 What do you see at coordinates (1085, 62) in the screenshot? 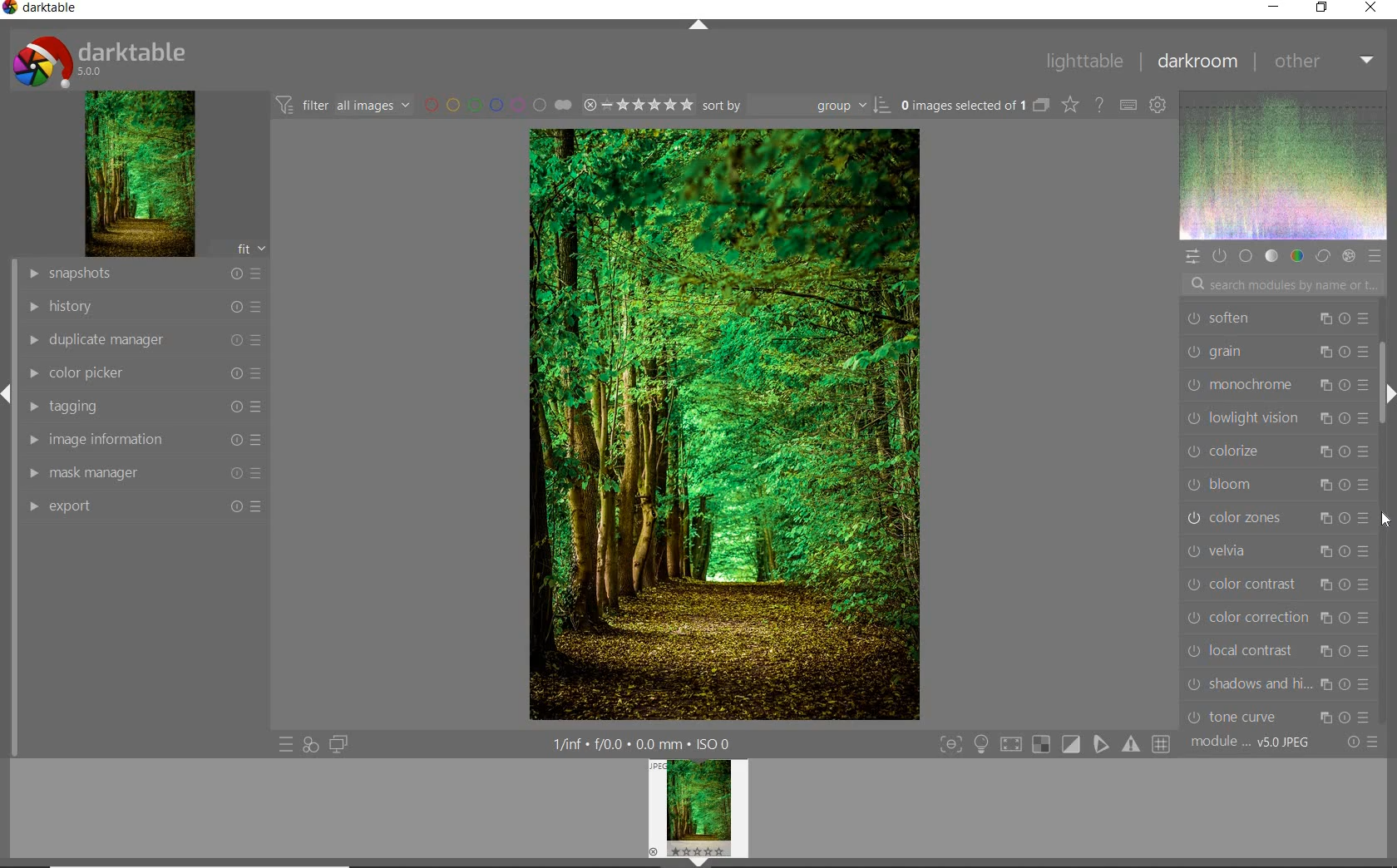
I see `LIGHTTABLE` at bounding box center [1085, 62].